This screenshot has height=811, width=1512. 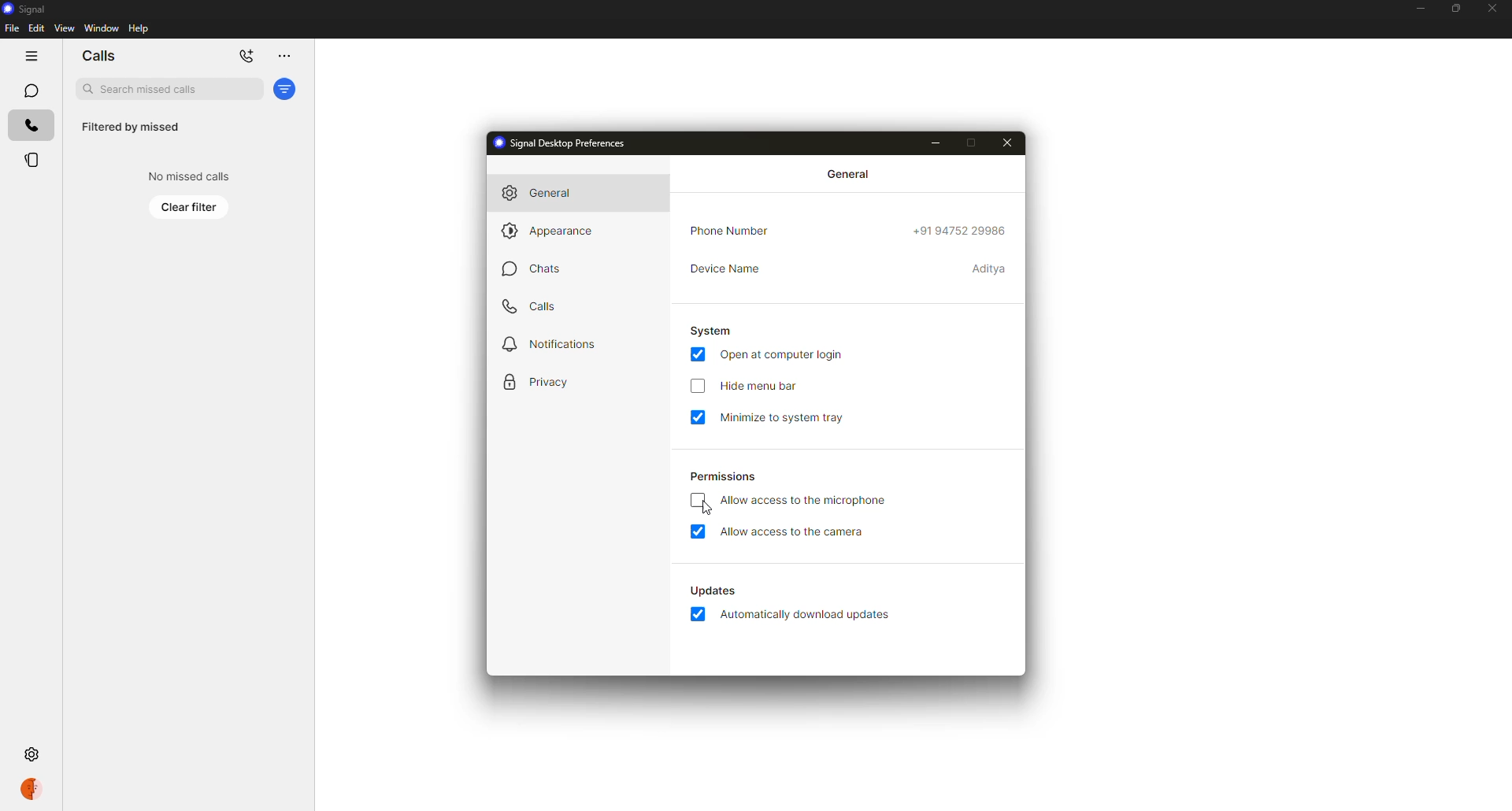 What do you see at coordinates (527, 307) in the screenshot?
I see `calls` at bounding box center [527, 307].